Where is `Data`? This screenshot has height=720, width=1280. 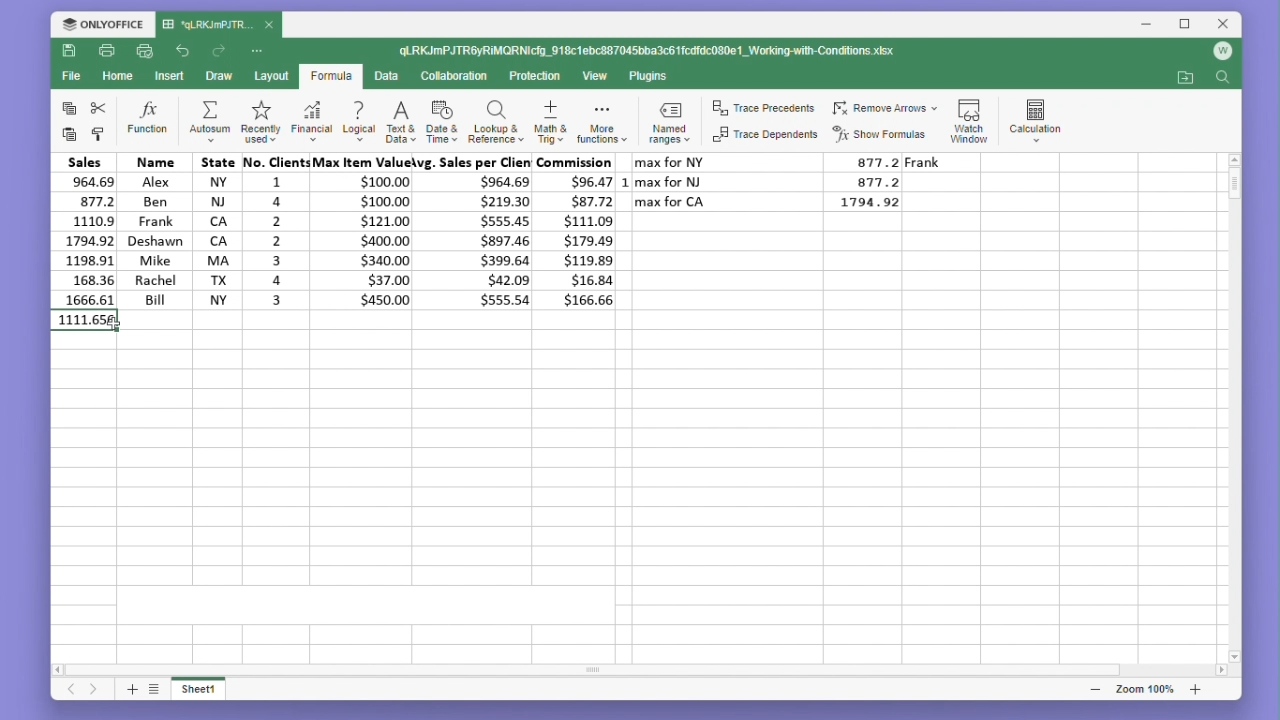 Data is located at coordinates (385, 76).